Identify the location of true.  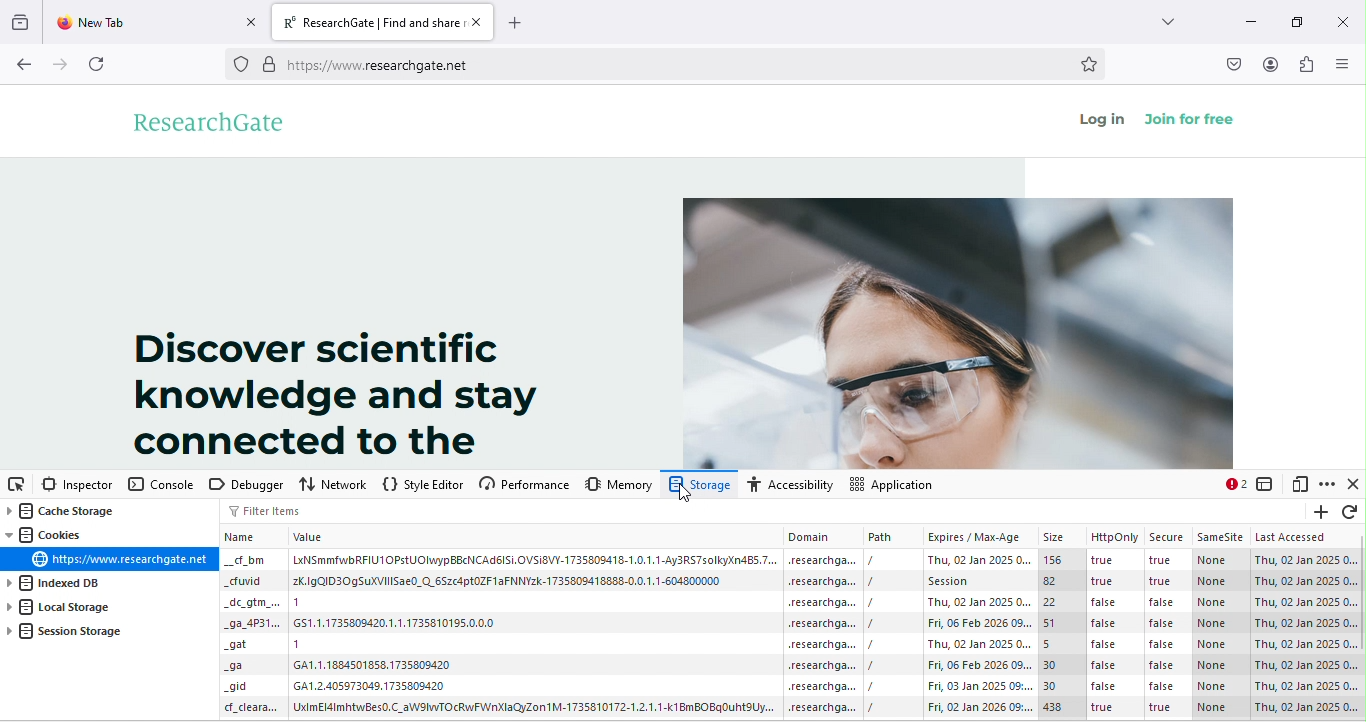
(1106, 709).